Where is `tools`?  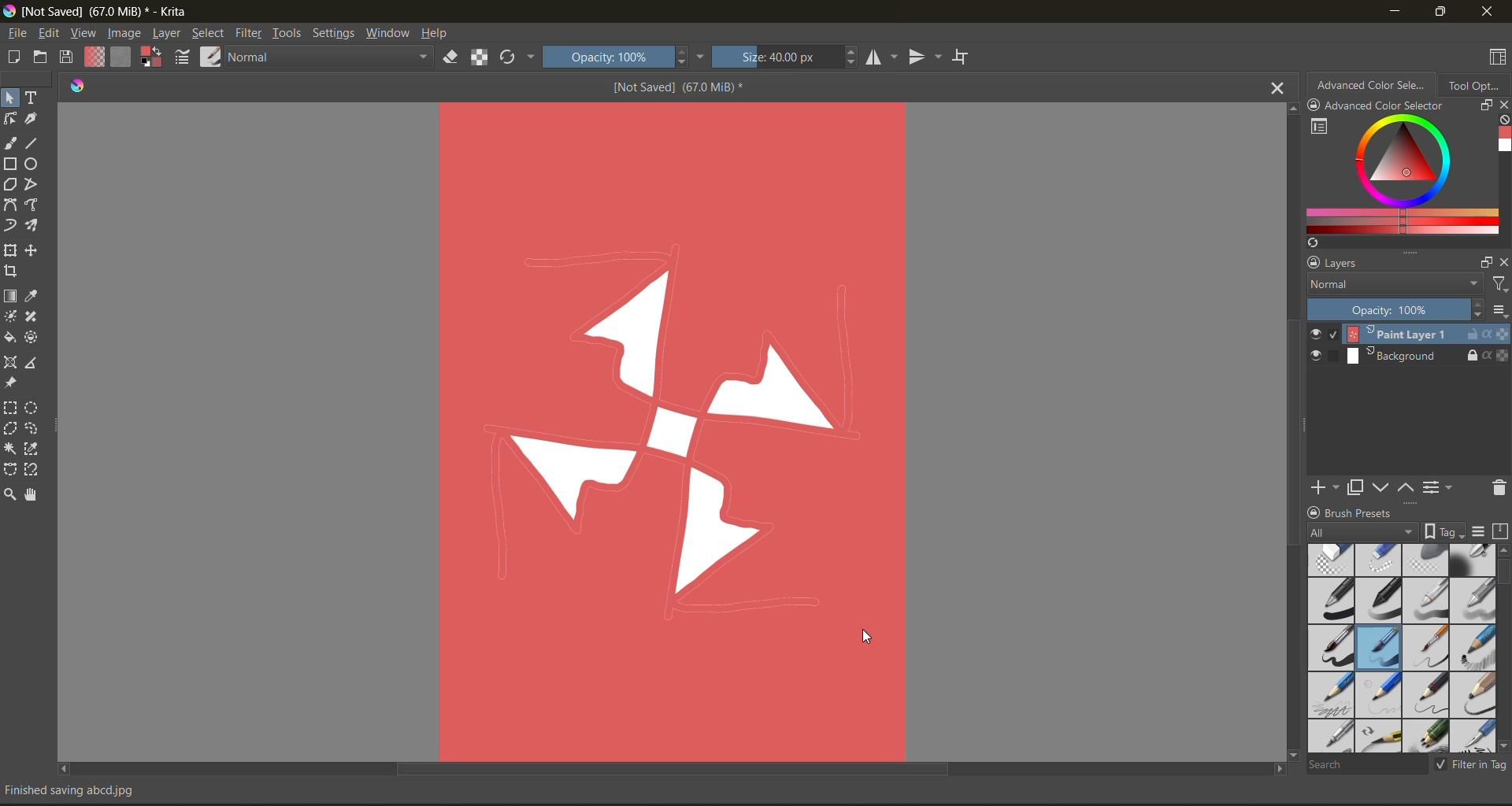 tools is located at coordinates (11, 206).